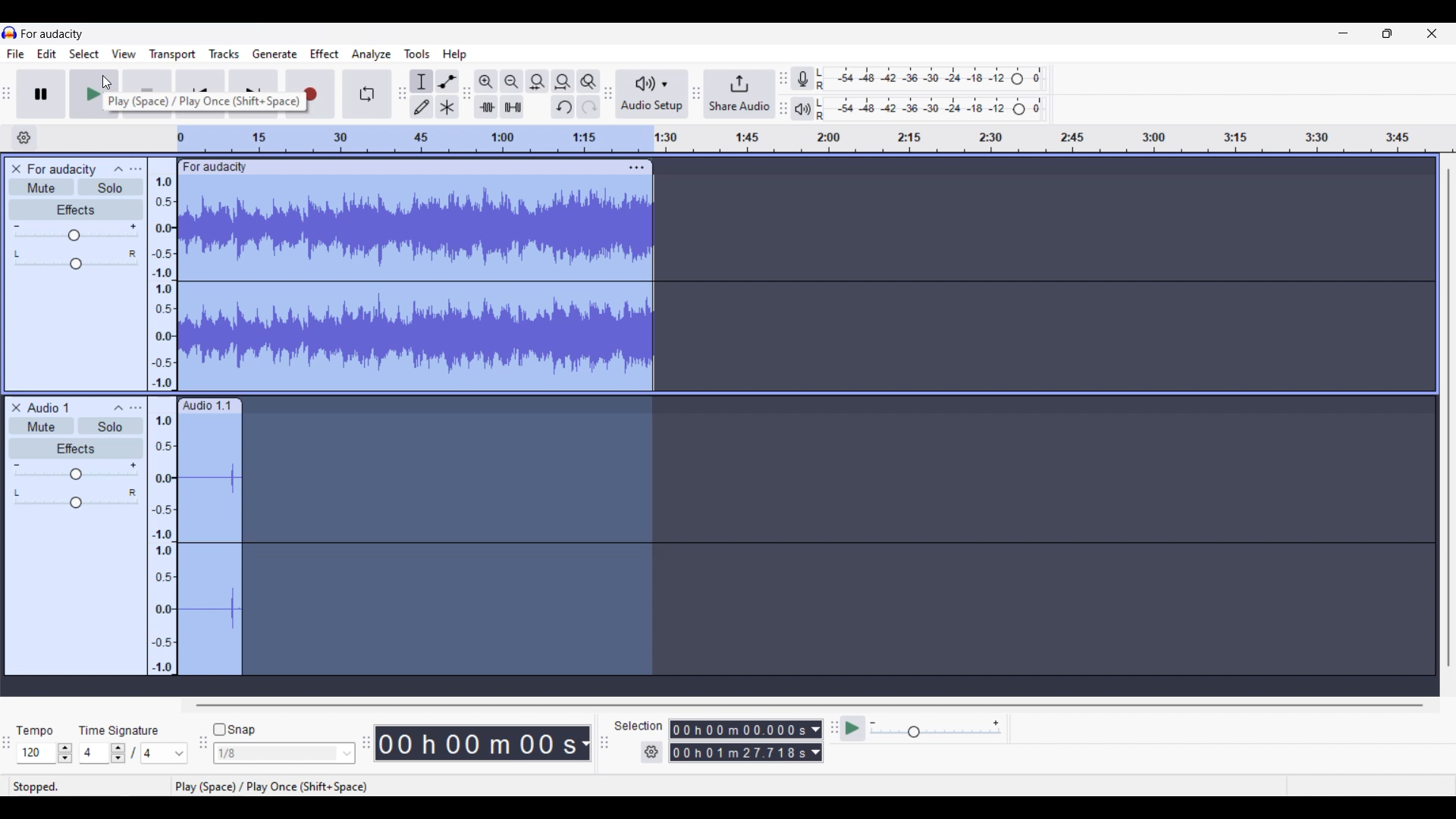 Image resolution: width=1456 pixels, height=819 pixels. What do you see at coordinates (272, 786) in the screenshot?
I see `Play (space)/play once (shift+space)` at bounding box center [272, 786].